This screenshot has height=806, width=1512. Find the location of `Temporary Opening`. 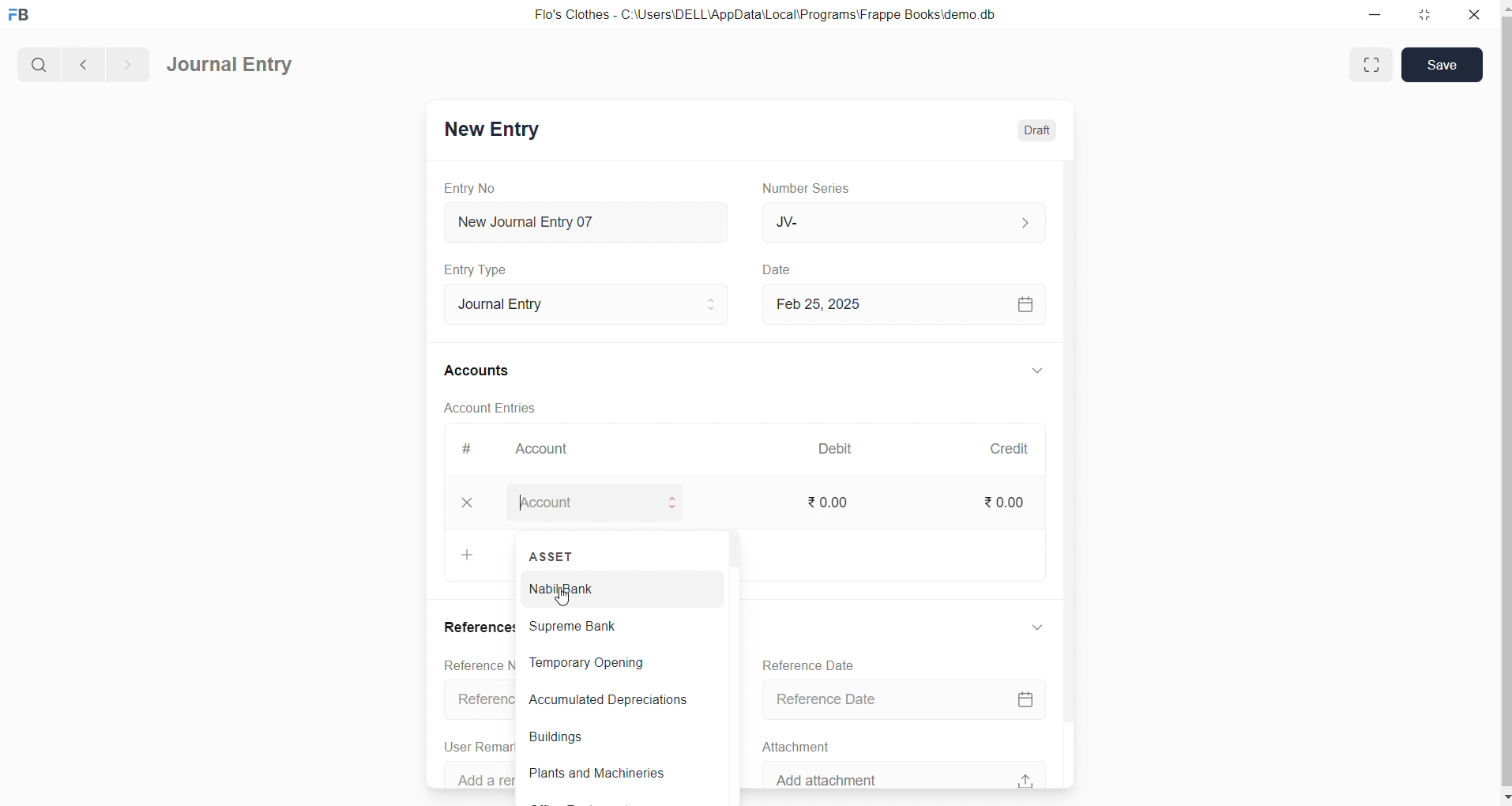

Temporary Opening is located at coordinates (612, 663).